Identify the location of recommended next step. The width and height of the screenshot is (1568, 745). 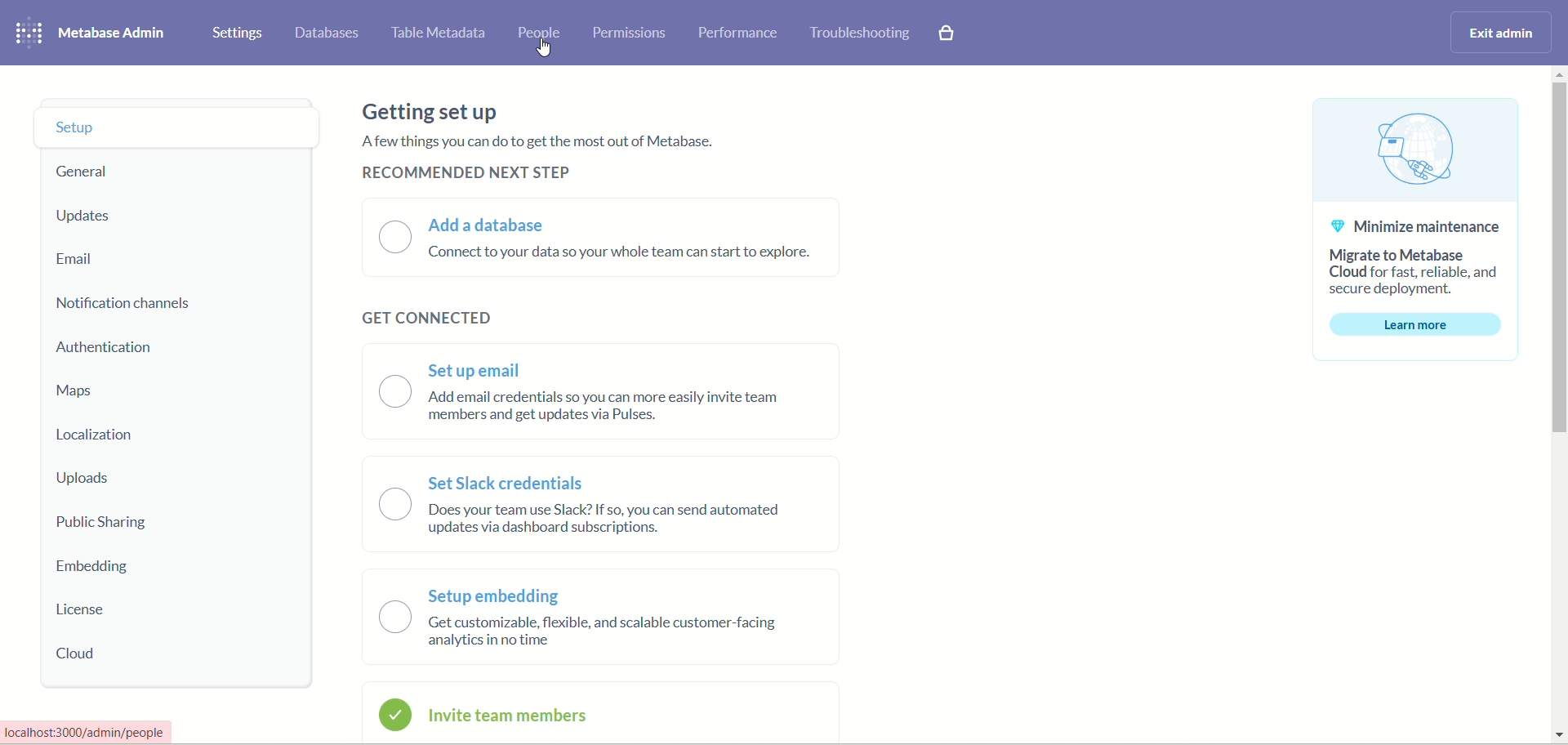
(468, 172).